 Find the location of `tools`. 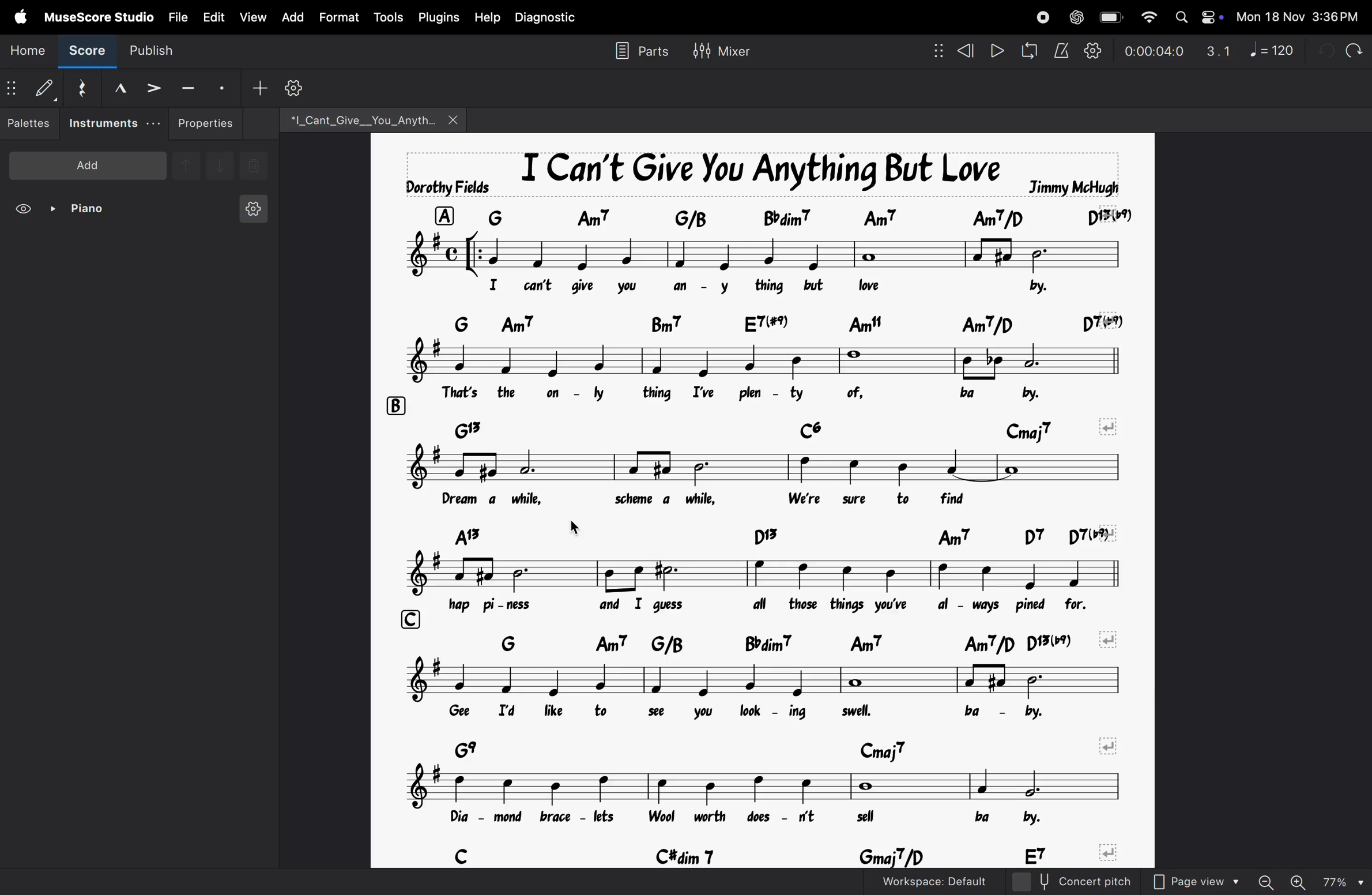

tools is located at coordinates (386, 18).